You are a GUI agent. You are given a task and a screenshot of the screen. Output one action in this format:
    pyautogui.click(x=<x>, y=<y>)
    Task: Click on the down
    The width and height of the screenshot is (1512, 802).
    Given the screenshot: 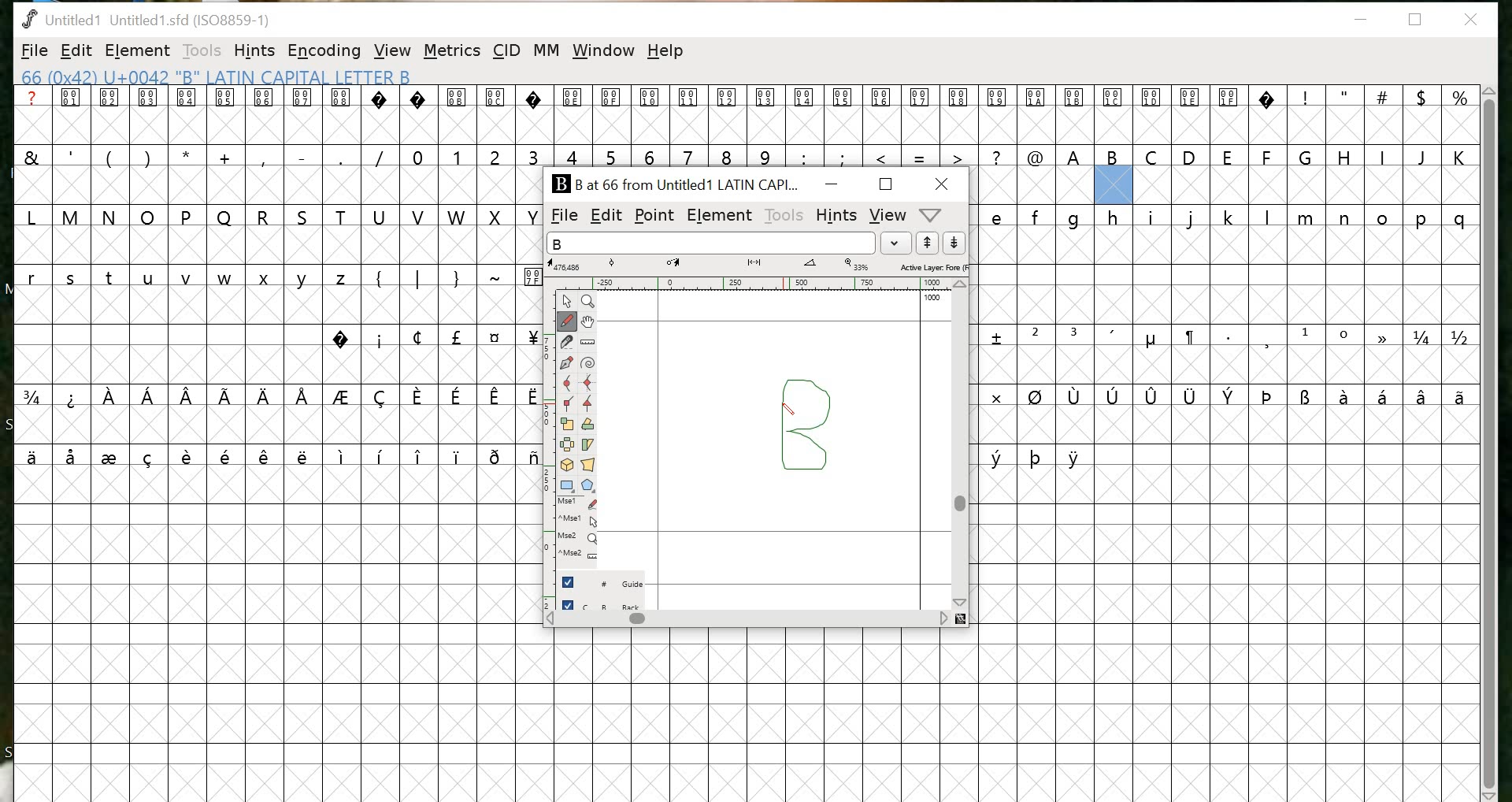 What is the action you would take?
    pyautogui.click(x=957, y=243)
    